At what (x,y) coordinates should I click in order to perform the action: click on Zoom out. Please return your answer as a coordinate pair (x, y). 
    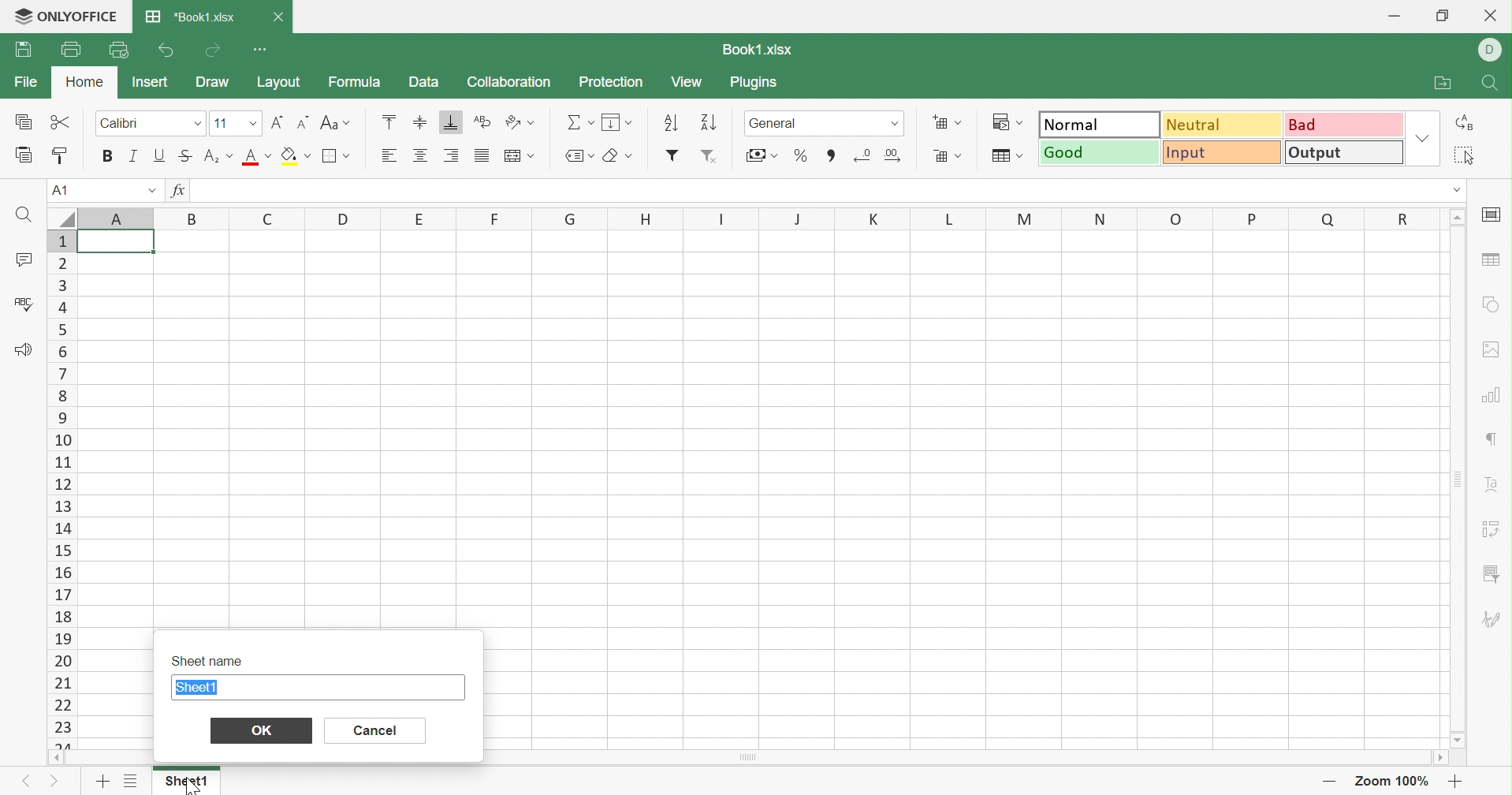
    Looking at the image, I should click on (1329, 780).